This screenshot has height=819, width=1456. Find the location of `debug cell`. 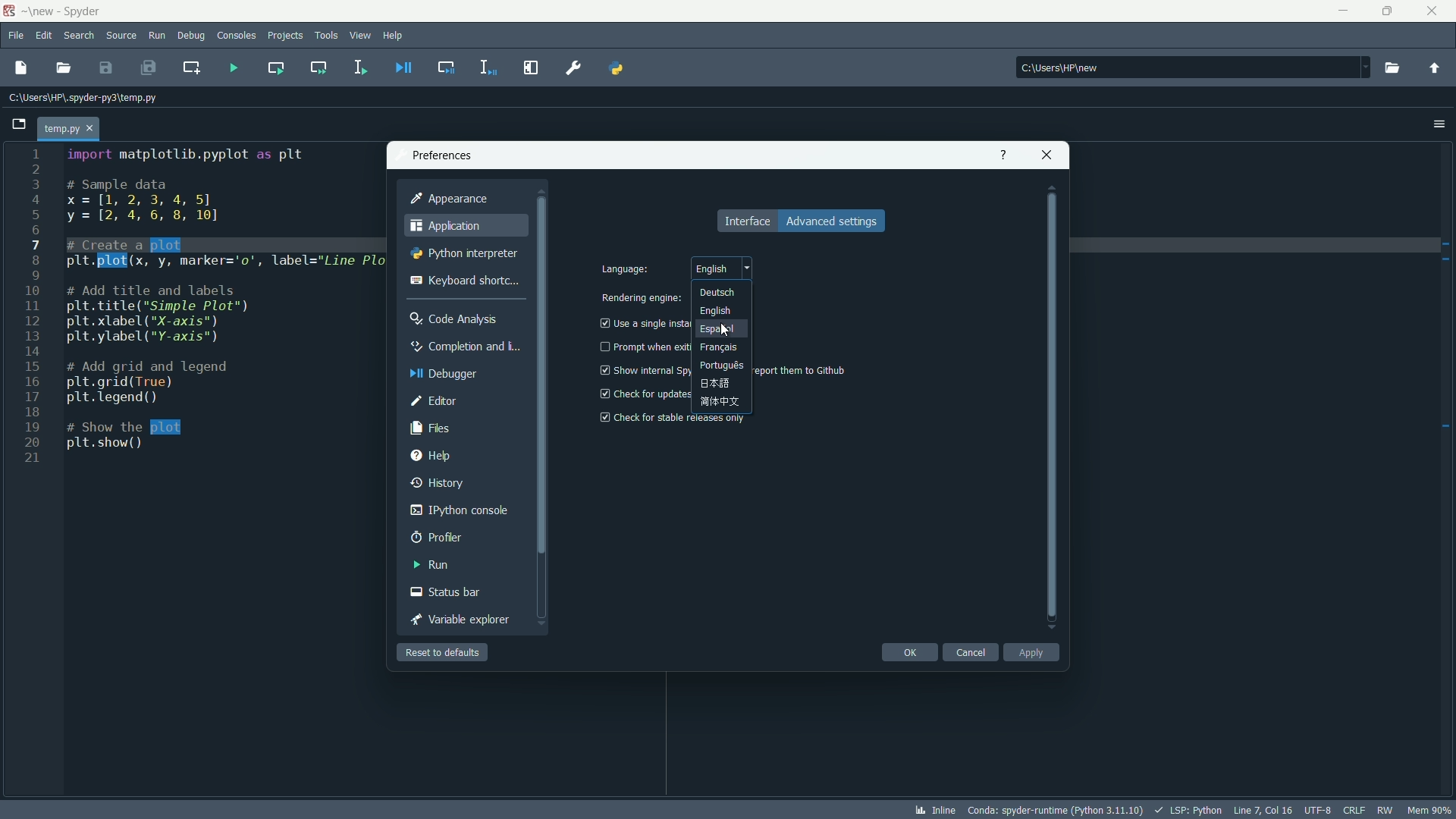

debug cell is located at coordinates (447, 67).